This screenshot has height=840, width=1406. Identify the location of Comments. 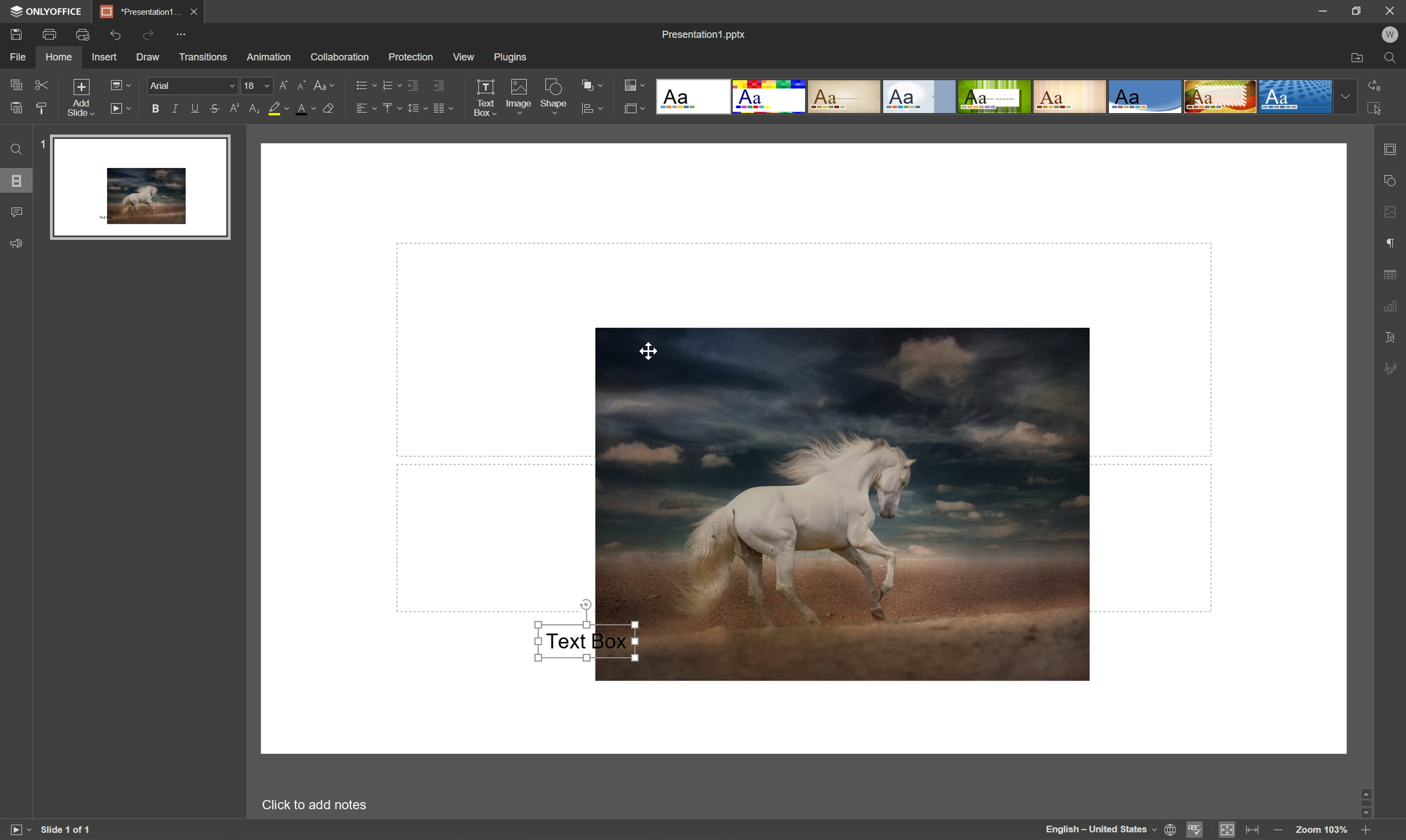
(17, 212).